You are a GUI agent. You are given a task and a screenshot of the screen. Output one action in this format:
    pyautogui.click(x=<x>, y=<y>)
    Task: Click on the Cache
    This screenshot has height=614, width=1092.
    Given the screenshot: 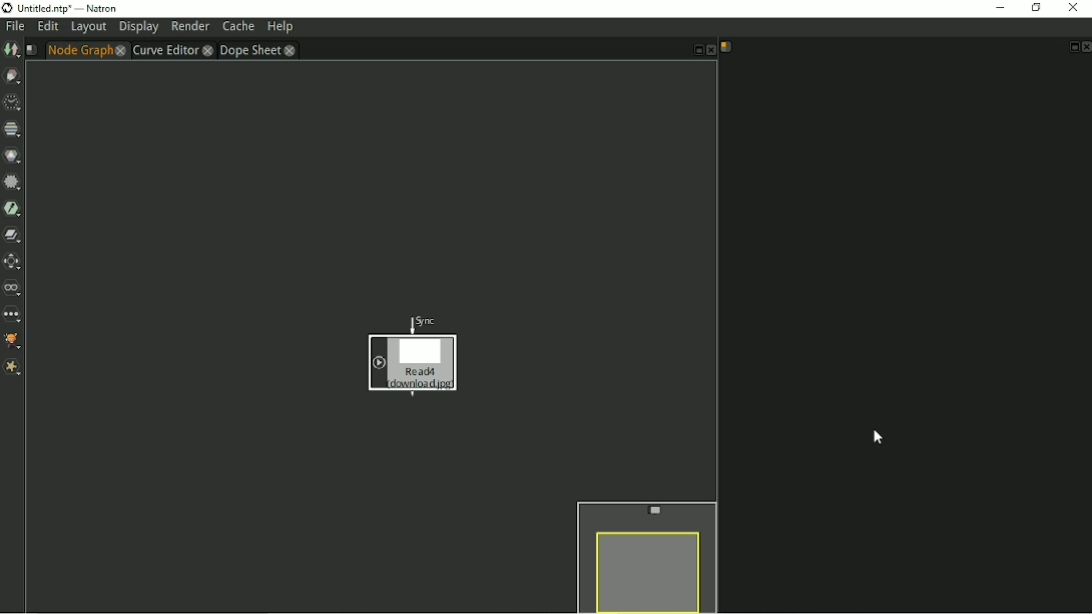 What is the action you would take?
    pyautogui.click(x=238, y=27)
    